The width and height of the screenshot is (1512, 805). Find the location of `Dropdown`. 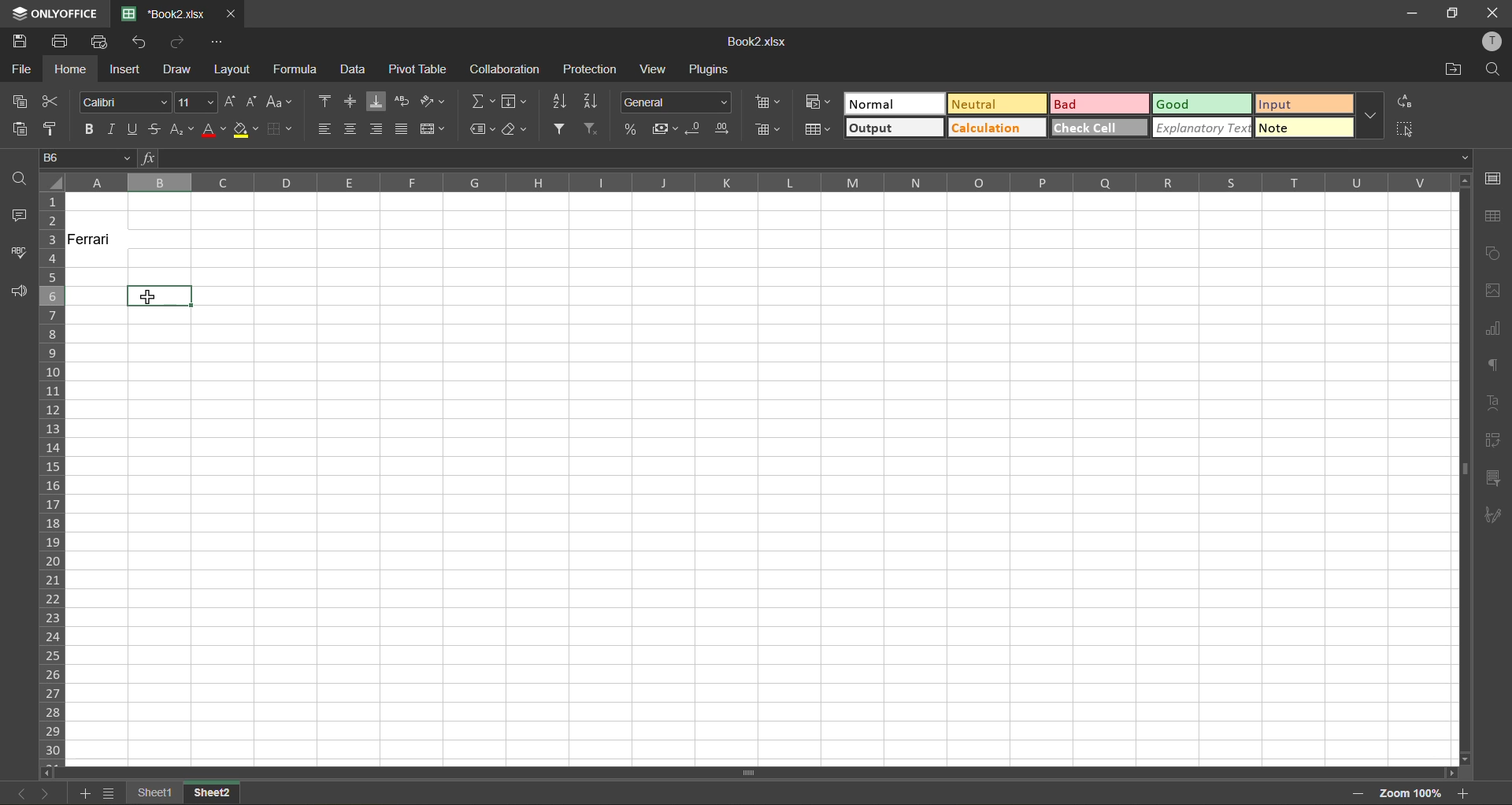

Dropdown is located at coordinates (1466, 158).